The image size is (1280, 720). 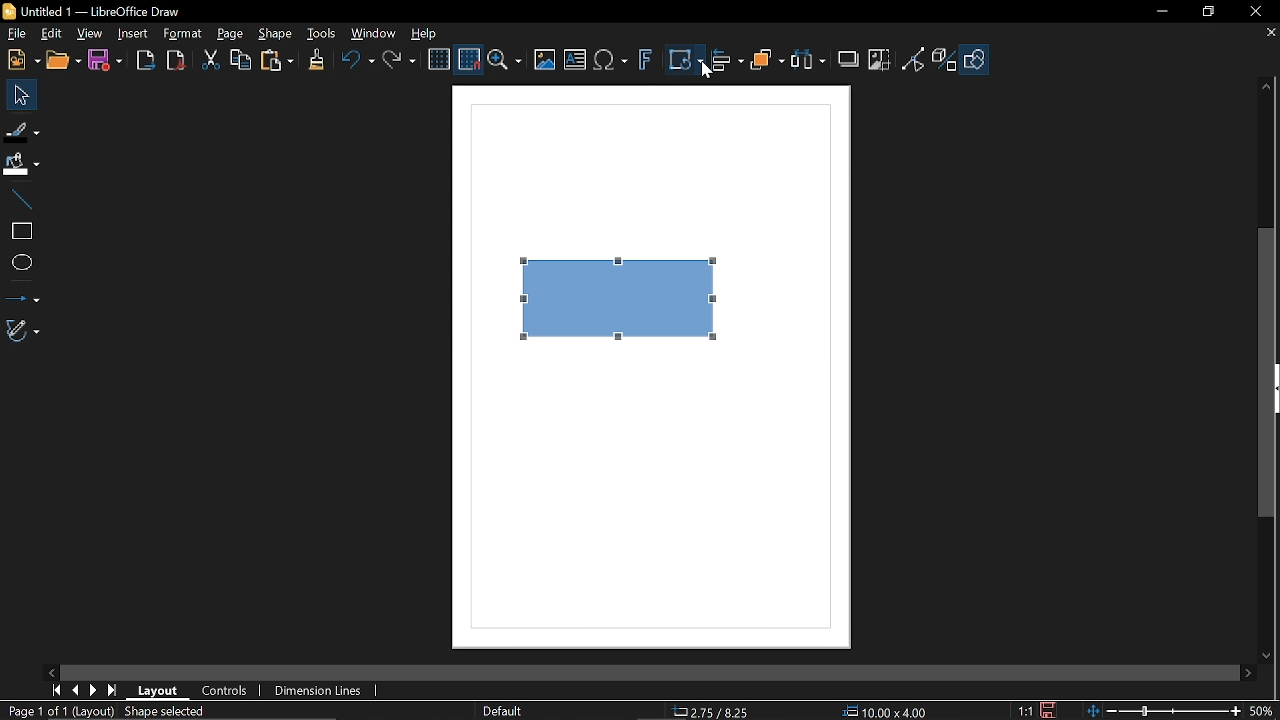 I want to click on line color, so click(x=21, y=128).